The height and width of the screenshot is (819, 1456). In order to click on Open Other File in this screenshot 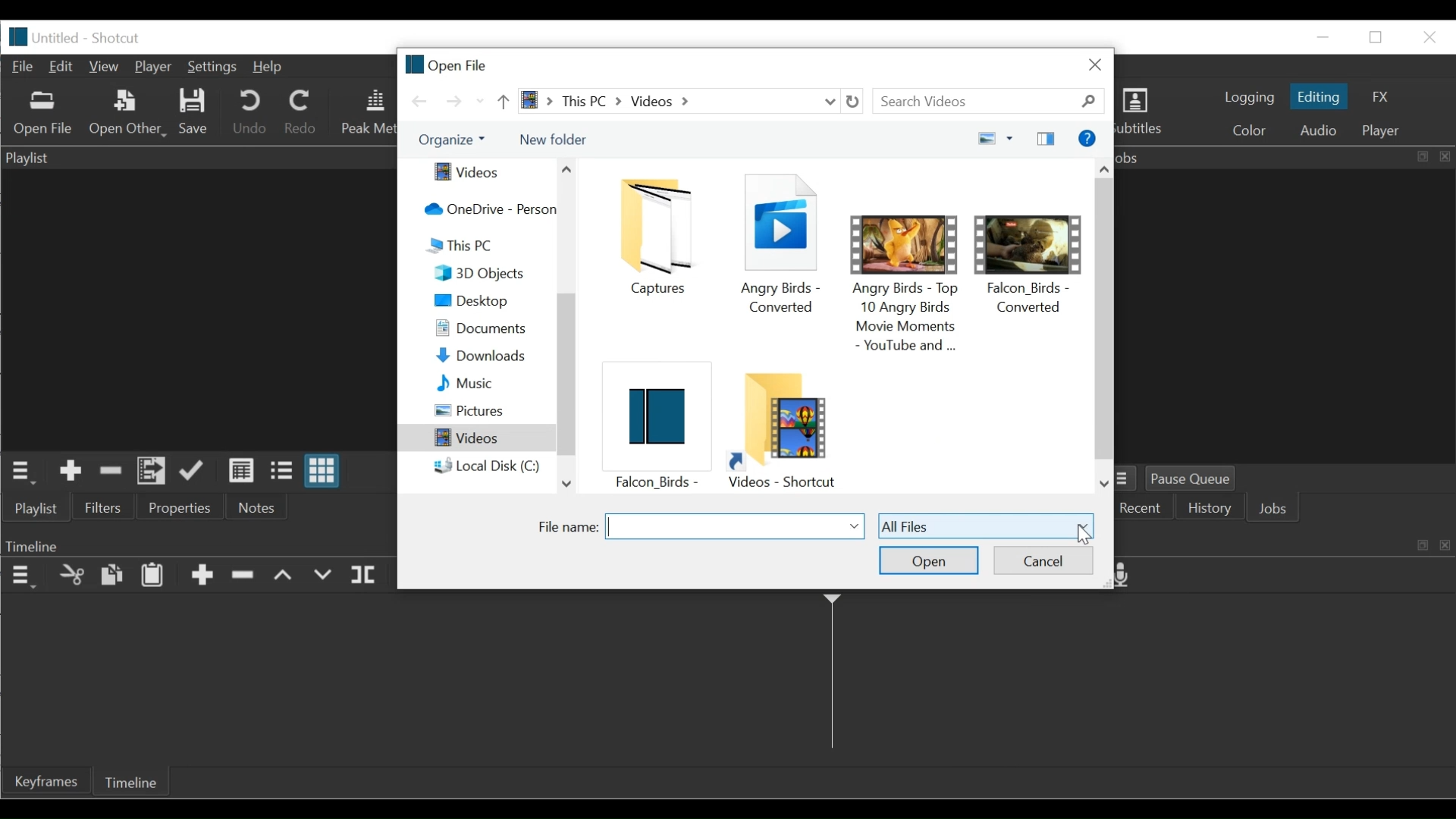, I will do `click(43, 114)`.